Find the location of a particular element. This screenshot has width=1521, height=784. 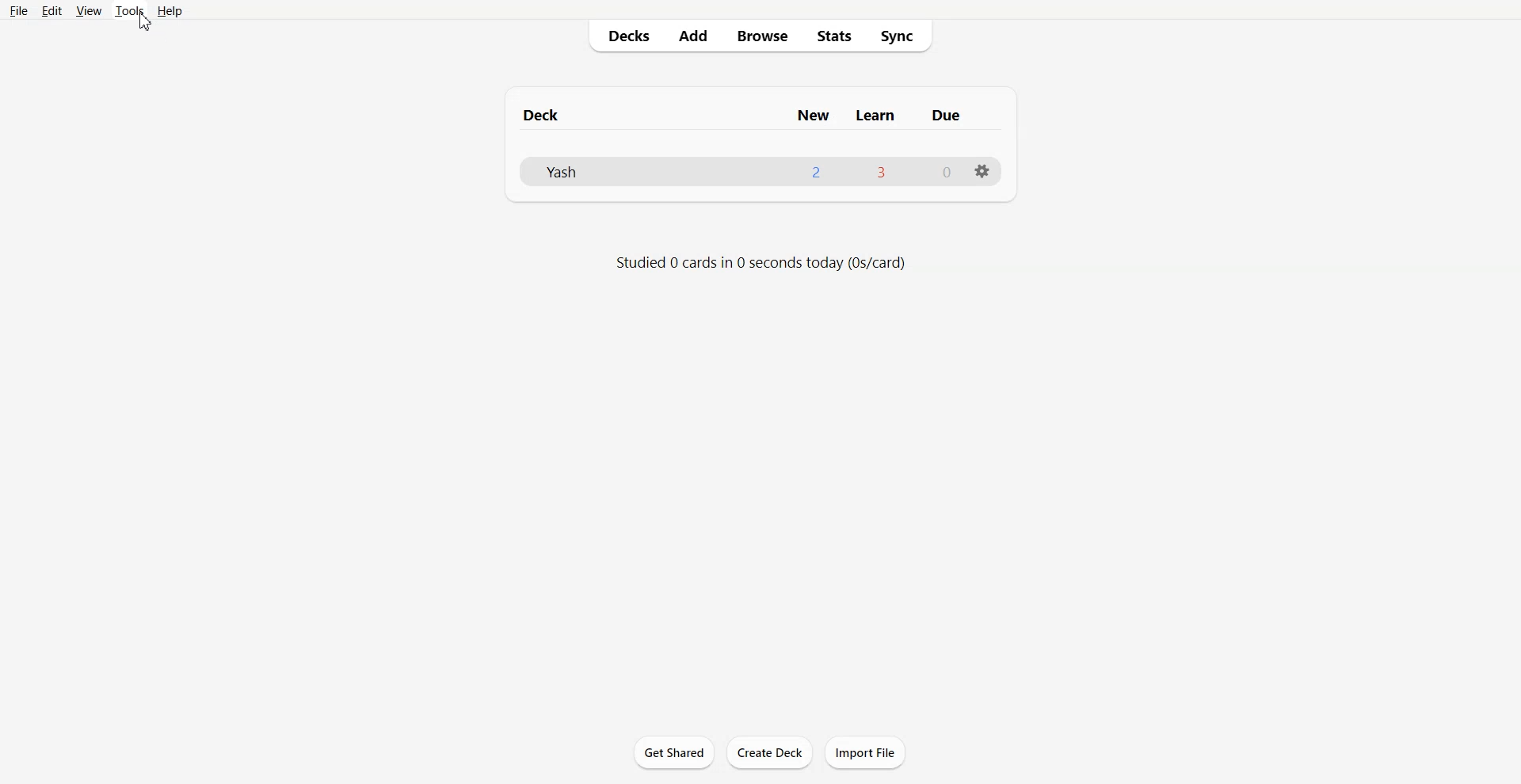

Decks is located at coordinates (623, 36).